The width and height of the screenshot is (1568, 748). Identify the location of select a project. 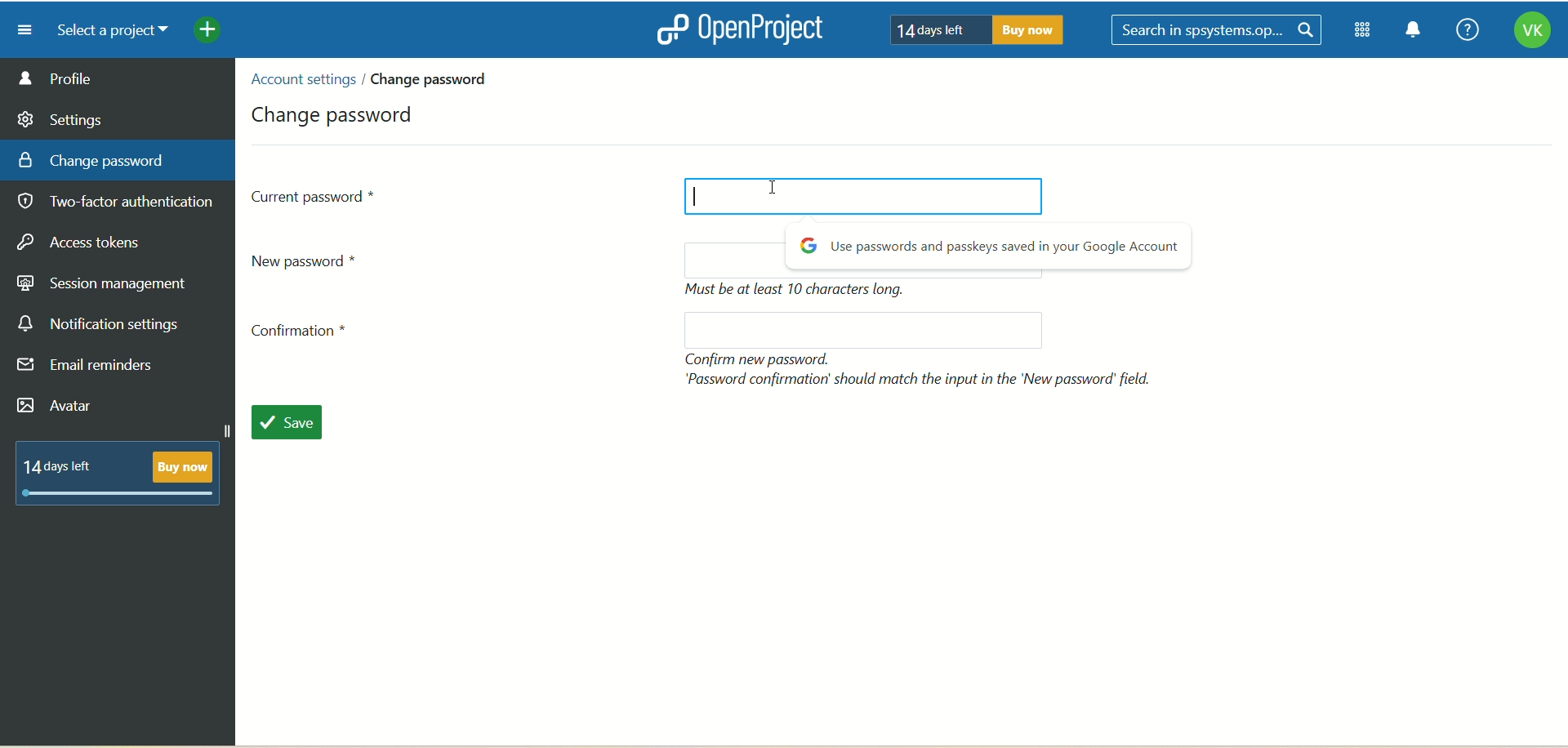
(106, 31).